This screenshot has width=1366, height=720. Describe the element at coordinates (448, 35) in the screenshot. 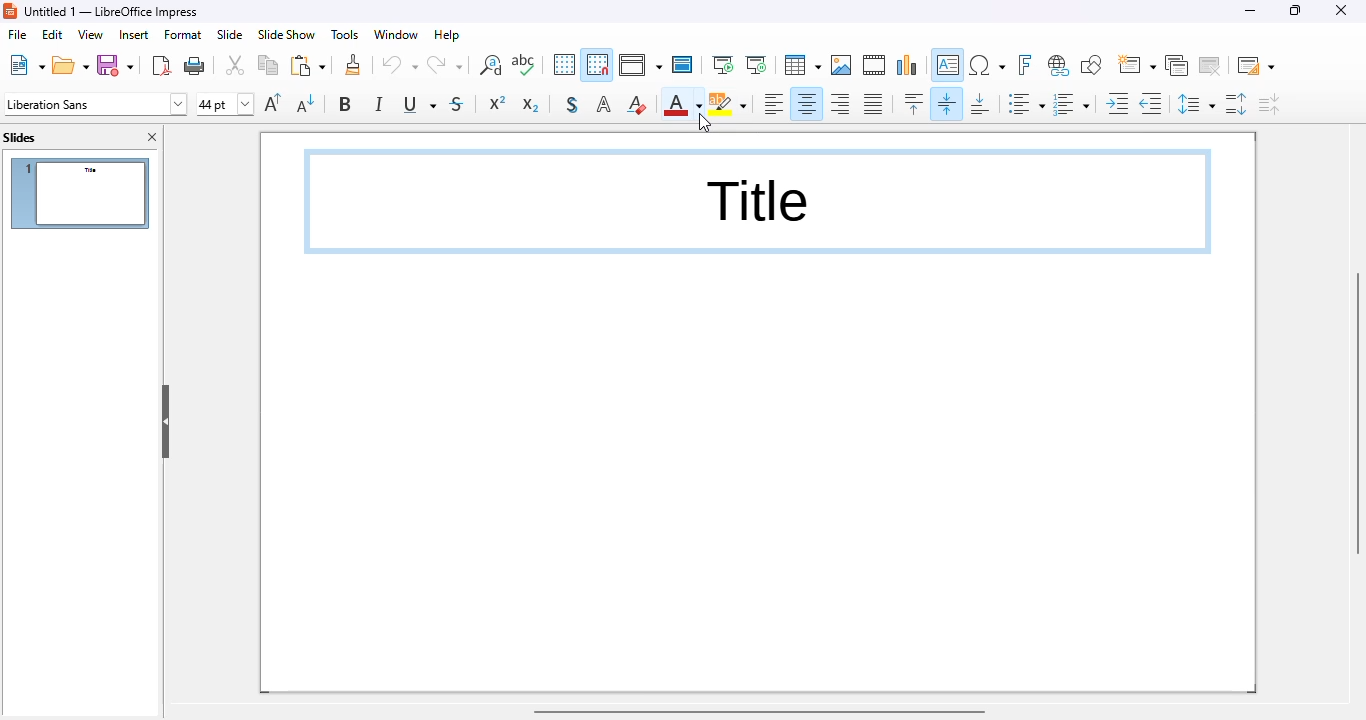

I see `help` at that location.